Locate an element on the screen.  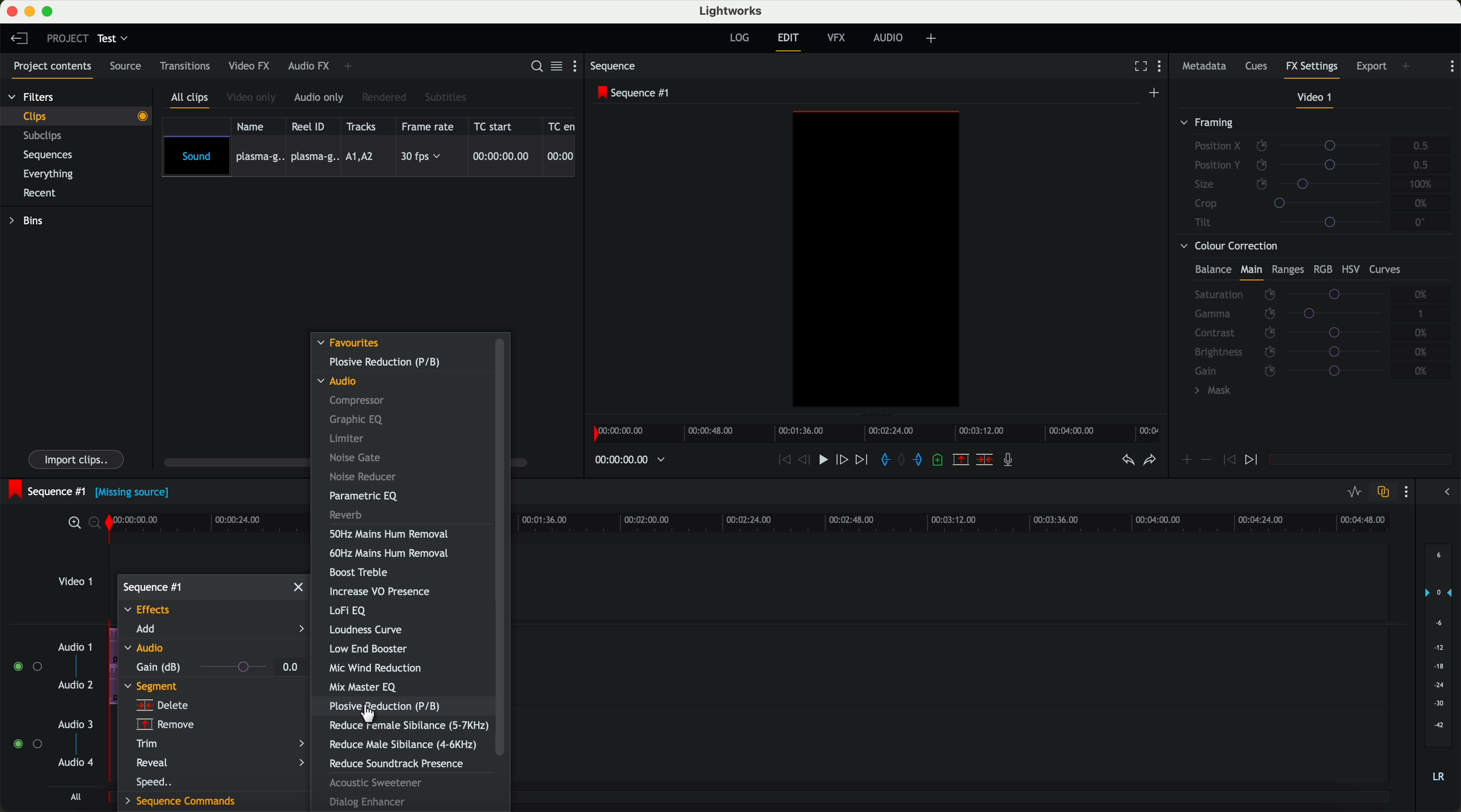
(Missing source) is located at coordinates (135, 494).